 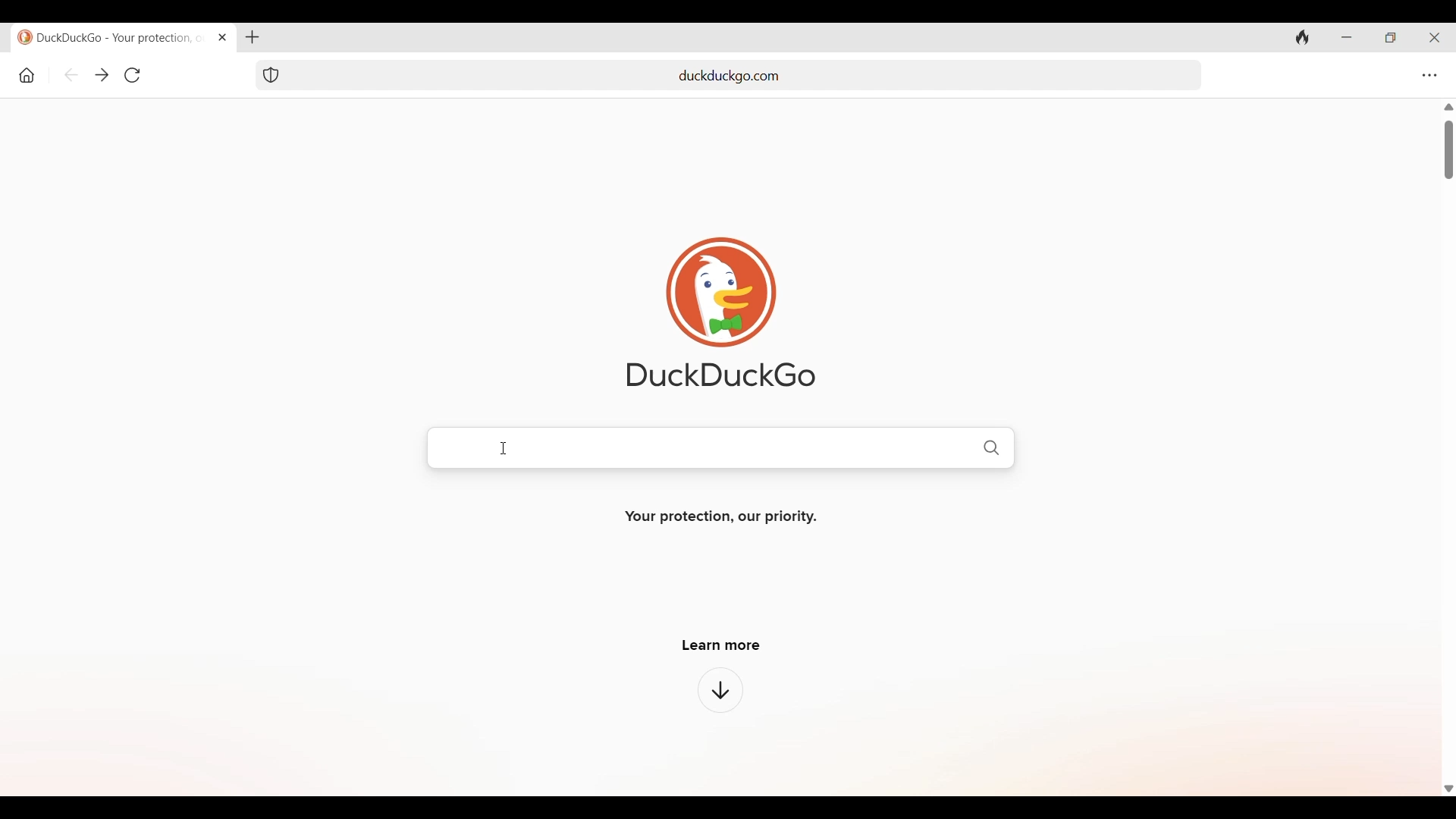 What do you see at coordinates (221, 38) in the screenshot?
I see `Close tab` at bounding box center [221, 38].